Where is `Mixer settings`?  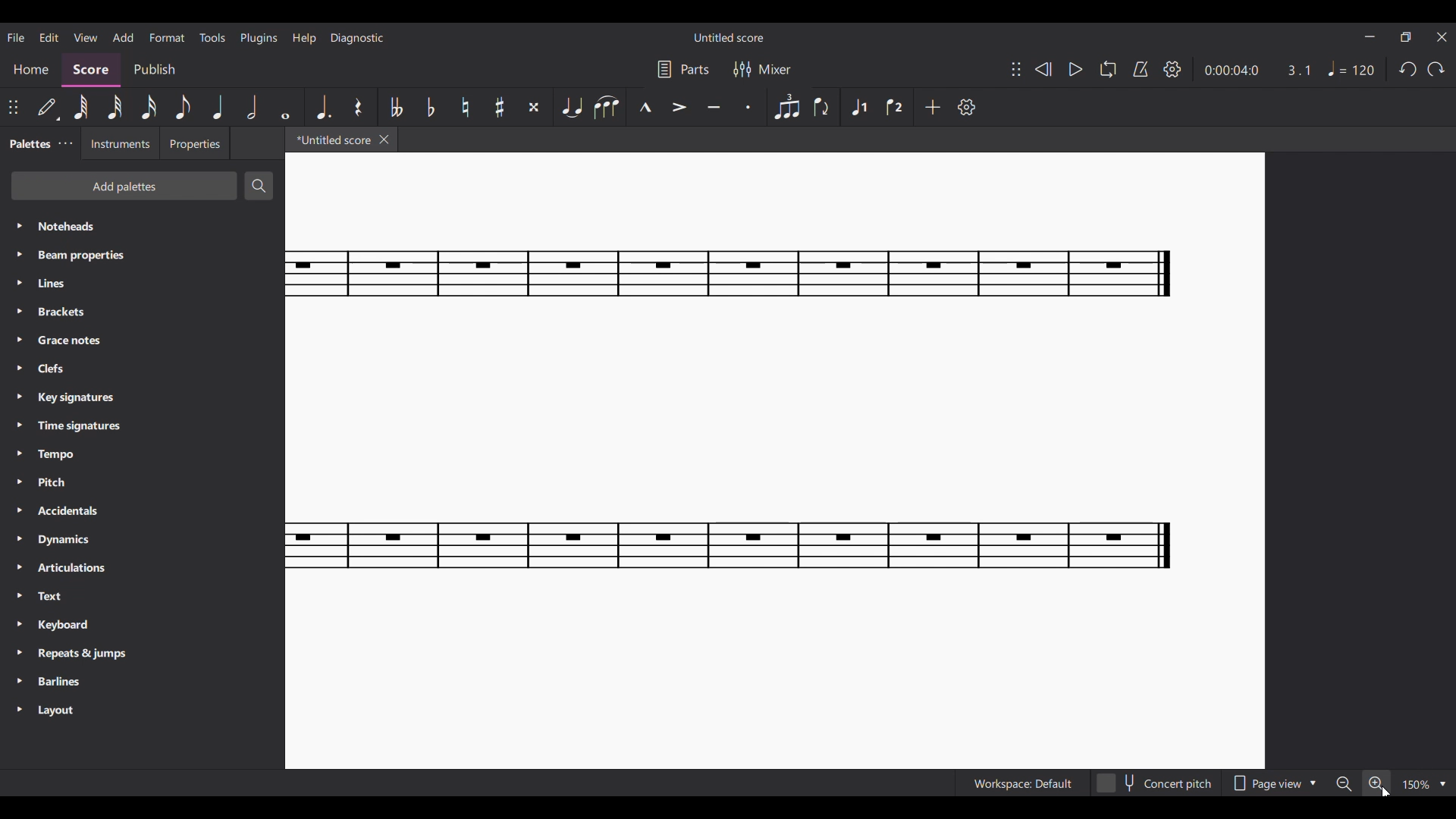
Mixer settings is located at coordinates (763, 69).